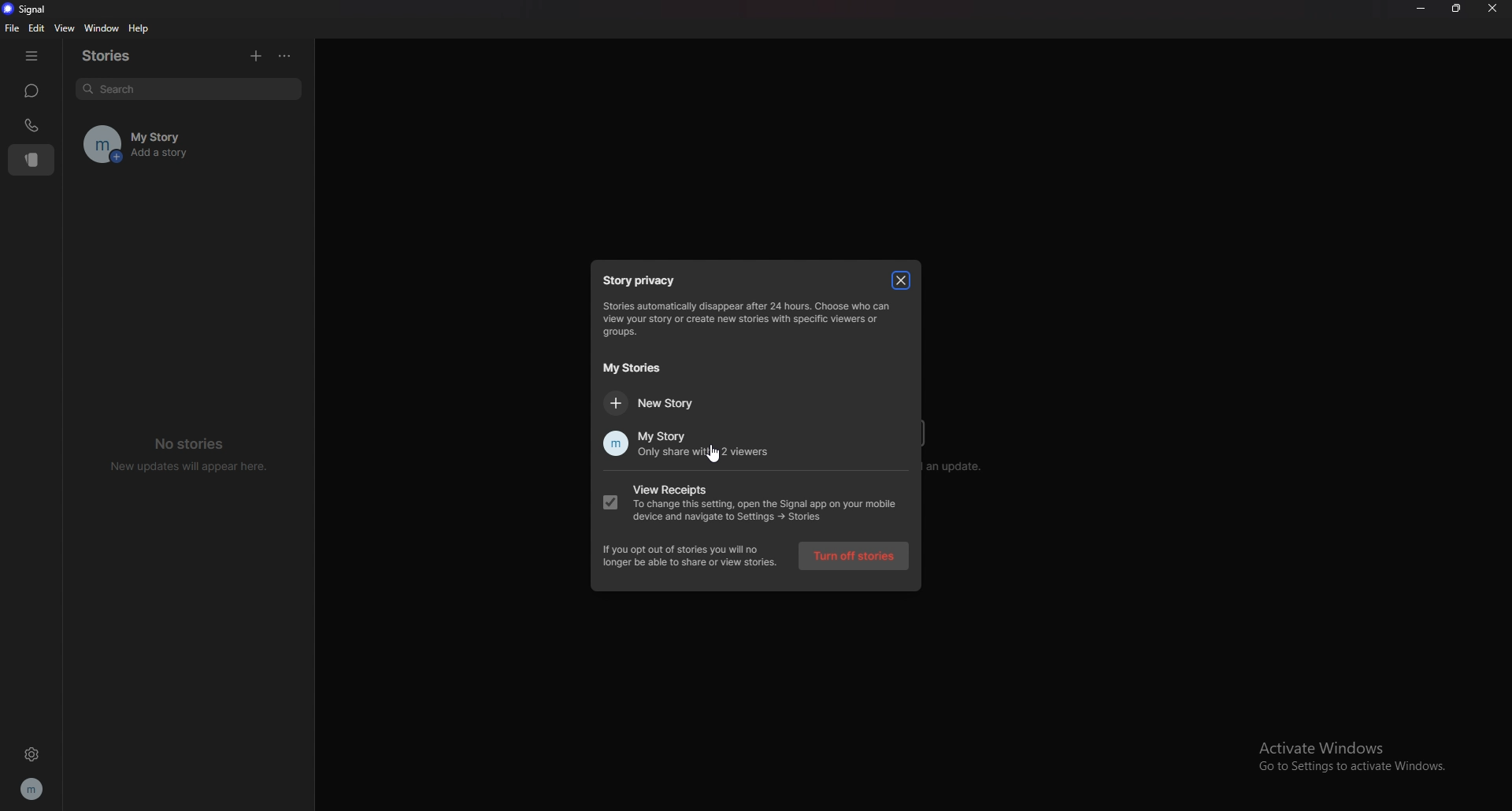 The width and height of the screenshot is (1512, 811). What do you see at coordinates (610, 502) in the screenshot?
I see `checkbox` at bounding box center [610, 502].